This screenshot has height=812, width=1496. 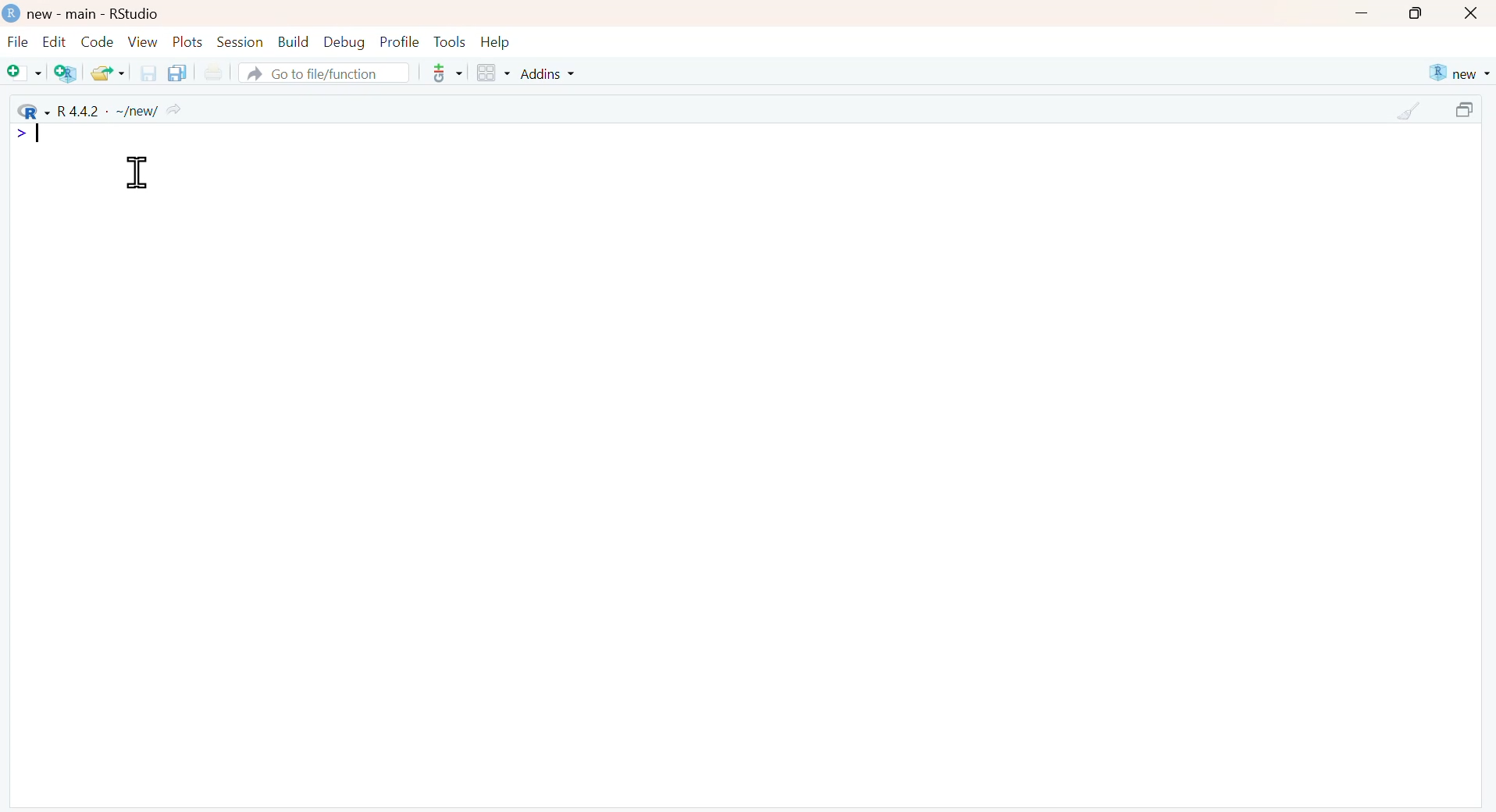 What do you see at coordinates (95, 14) in the screenshot?
I see `new - main - RStudio` at bounding box center [95, 14].